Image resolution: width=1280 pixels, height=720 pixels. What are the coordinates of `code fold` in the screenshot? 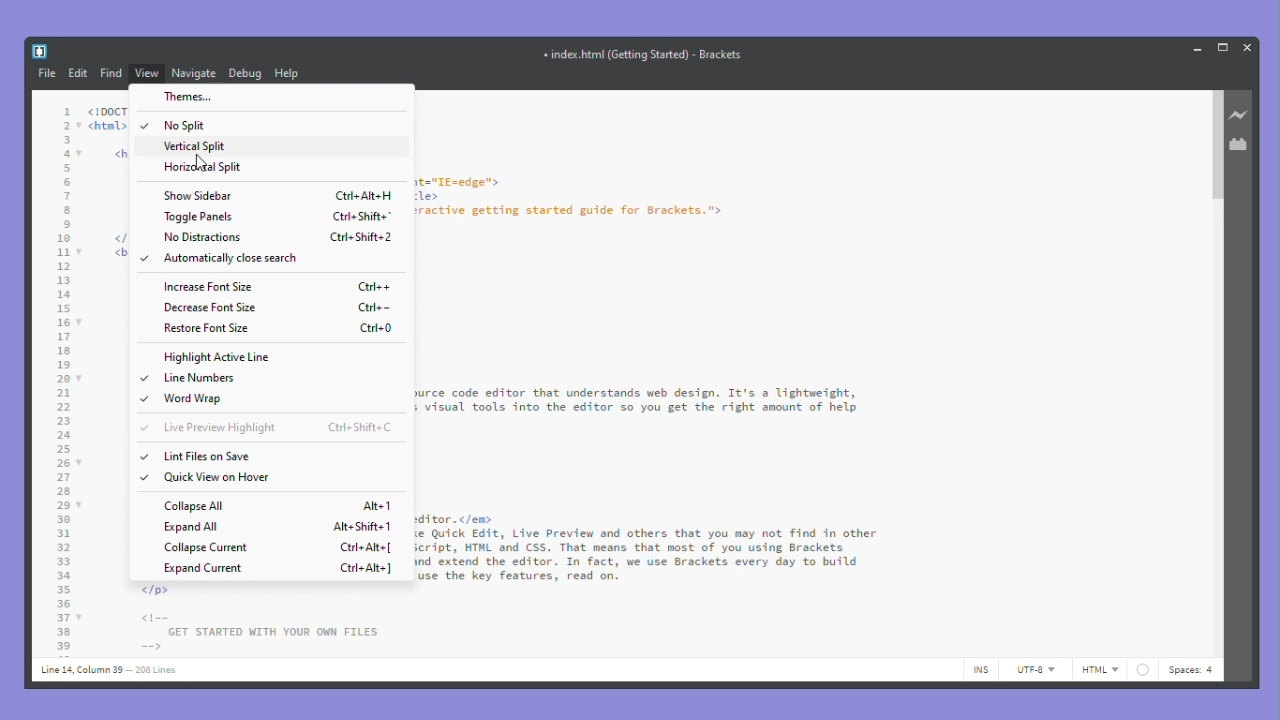 It's located at (81, 125).